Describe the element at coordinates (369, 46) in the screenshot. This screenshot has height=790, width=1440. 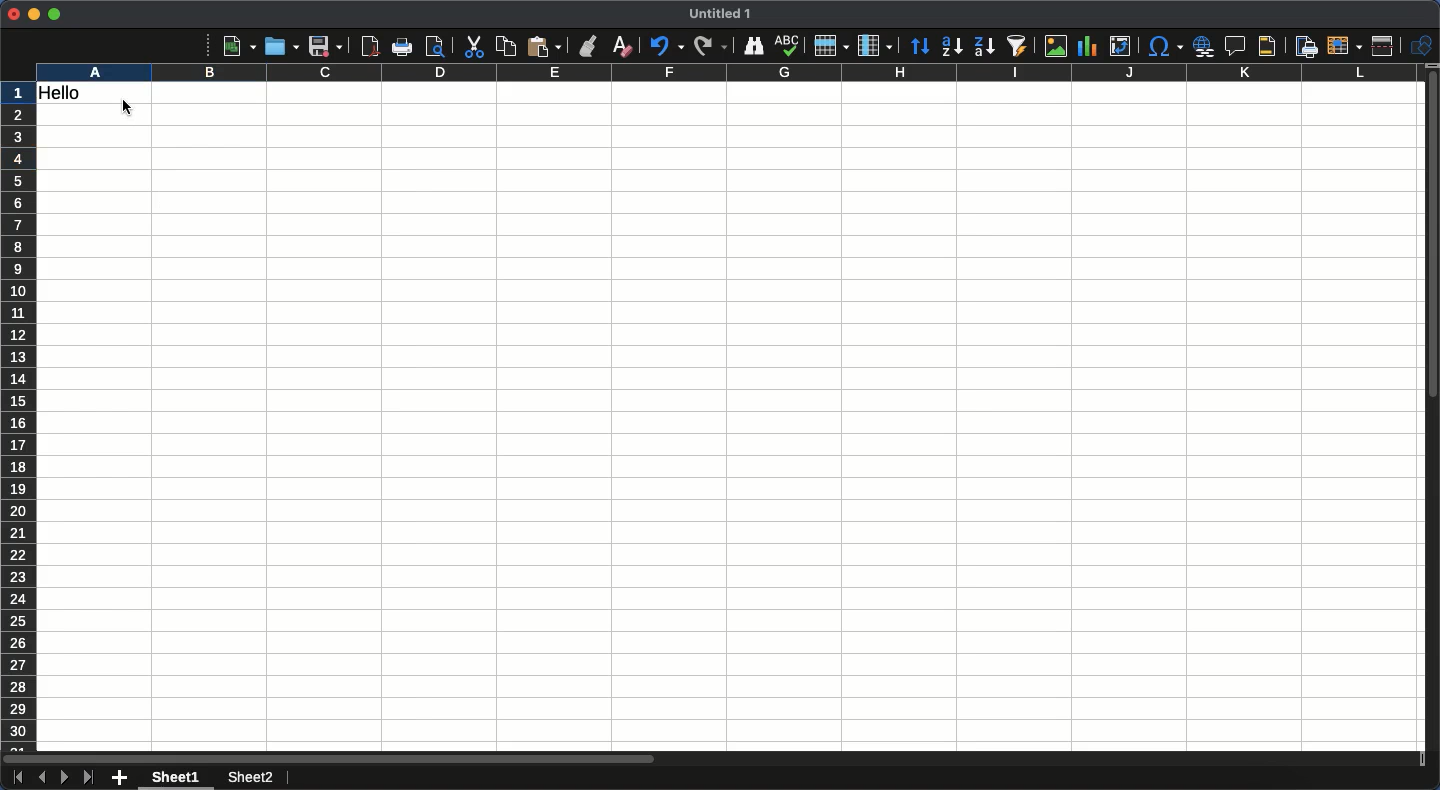
I see `Export as PDF` at that location.